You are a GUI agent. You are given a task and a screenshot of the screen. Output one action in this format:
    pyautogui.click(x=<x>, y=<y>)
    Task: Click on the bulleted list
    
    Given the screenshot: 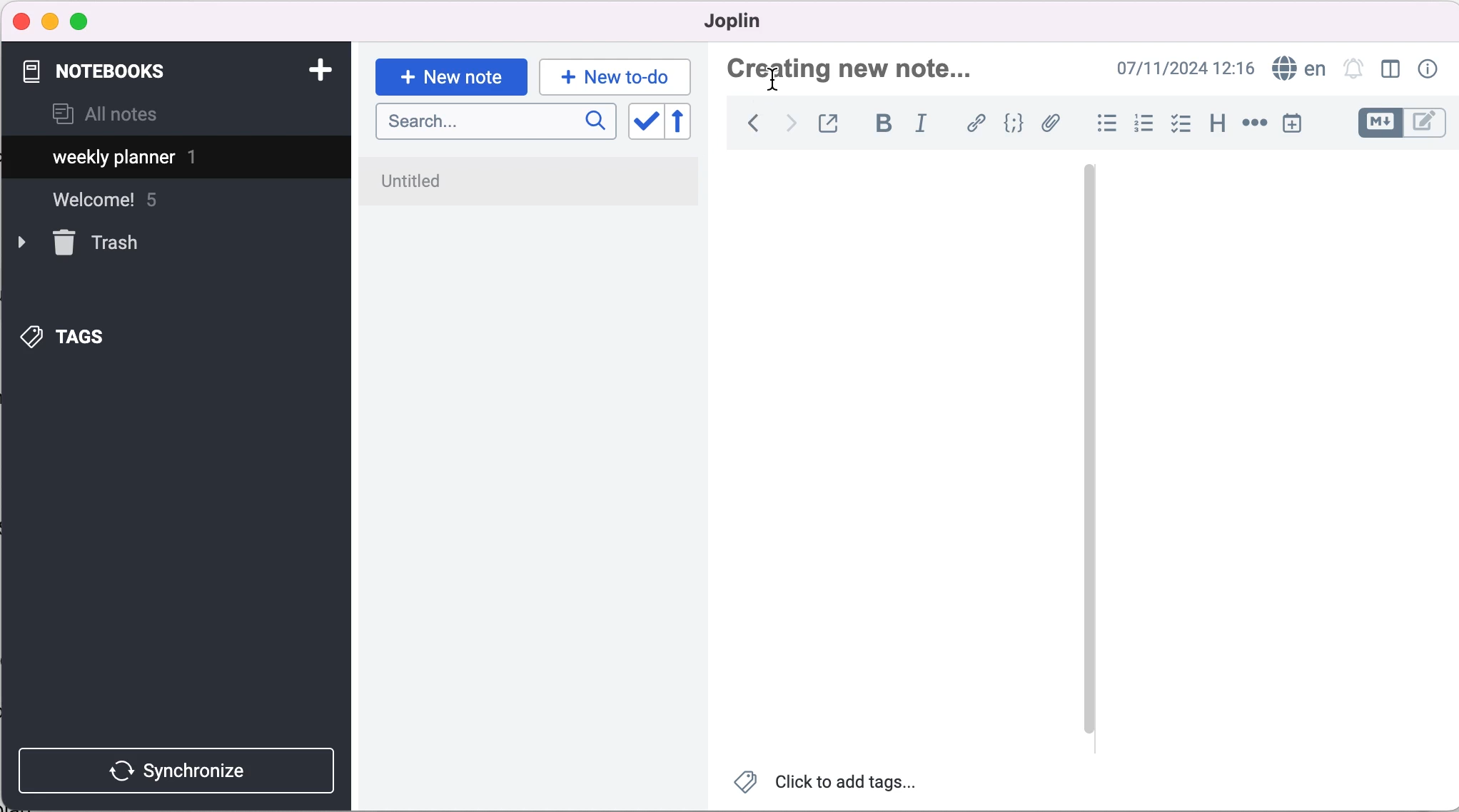 What is the action you would take?
    pyautogui.click(x=1104, y=124)
    